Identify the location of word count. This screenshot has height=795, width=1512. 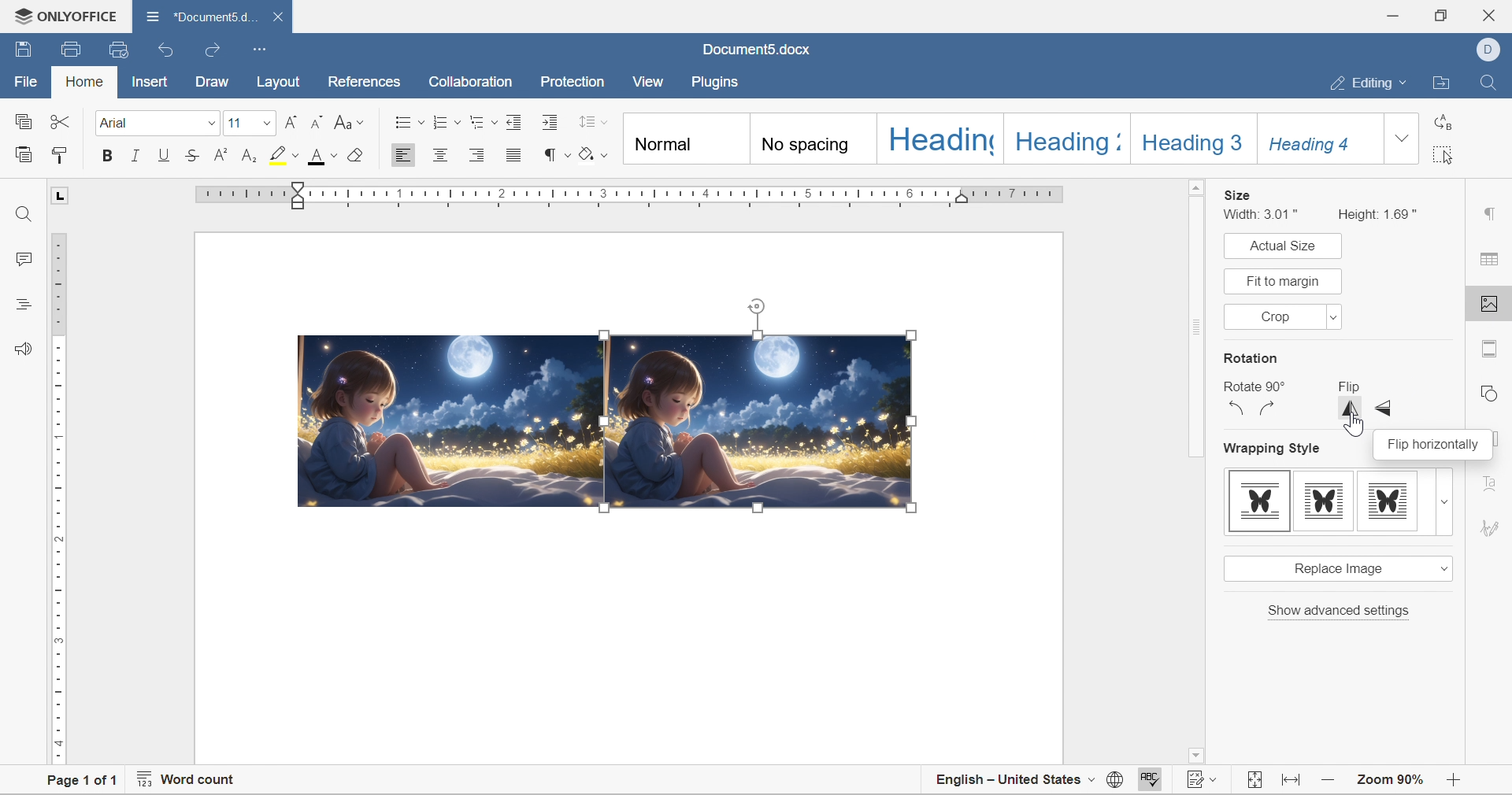
(188, 777).